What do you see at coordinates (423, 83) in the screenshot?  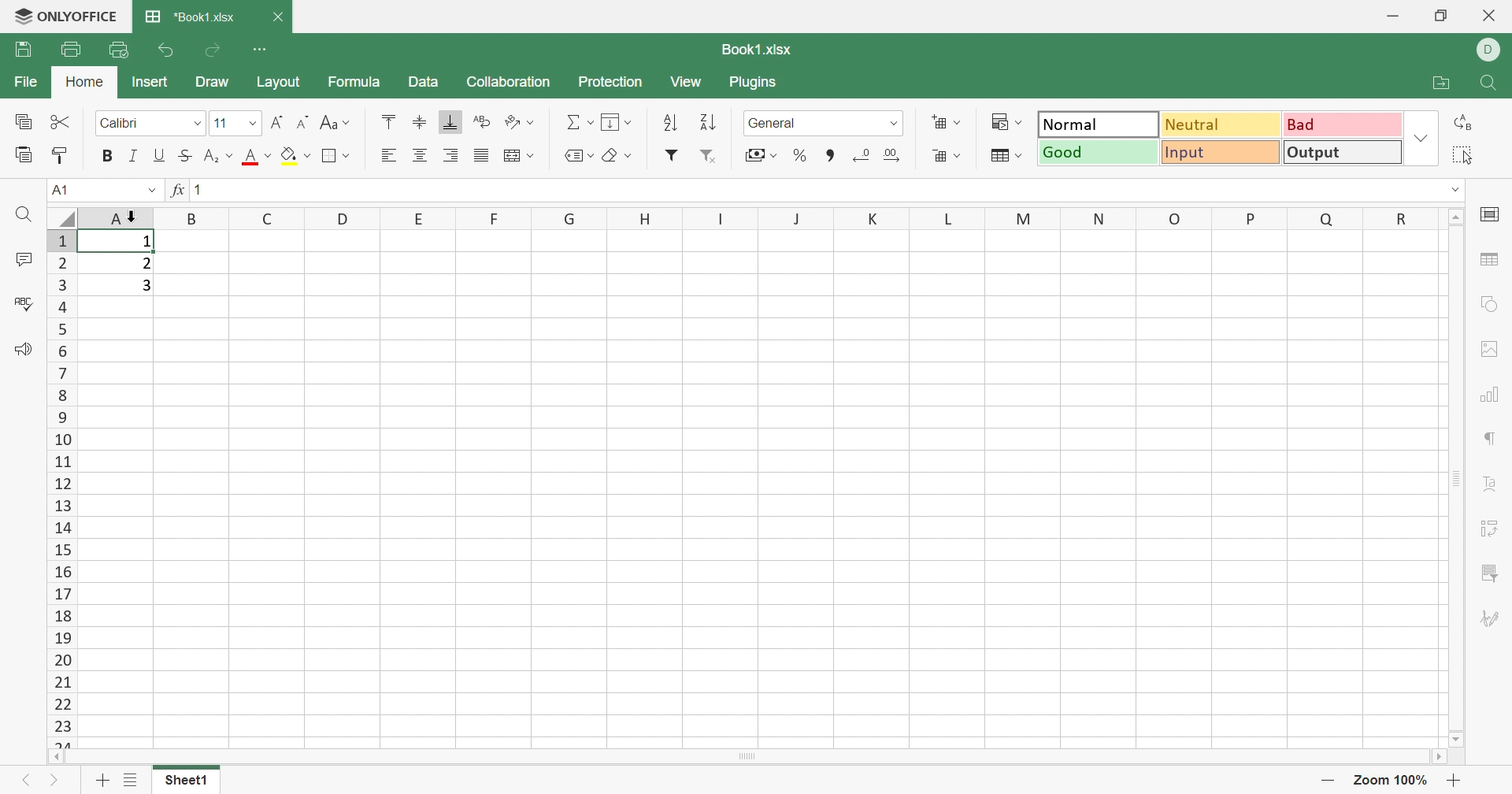 I see `Data` at bounding box center [423, 83].